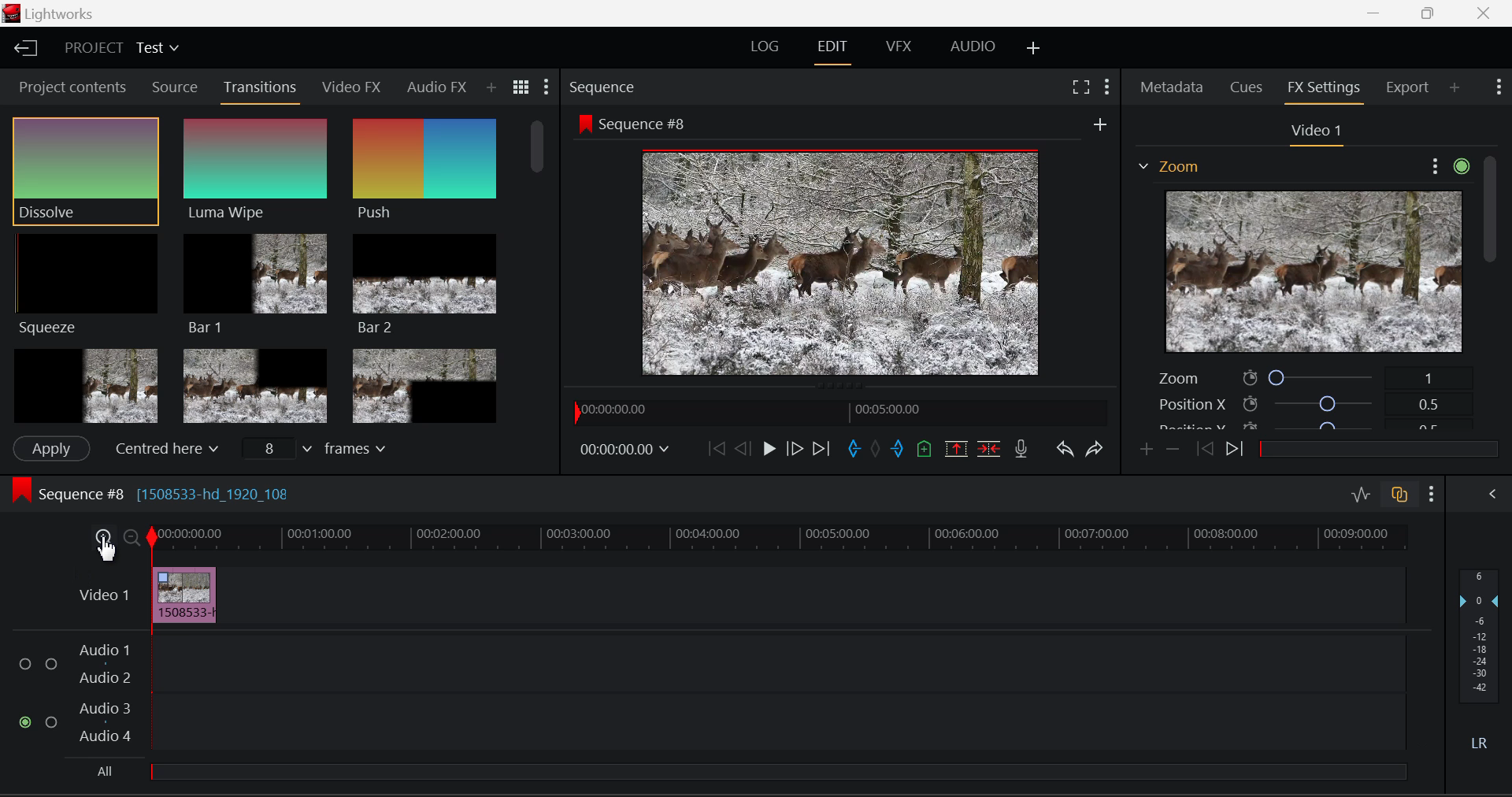 The width and height of the screenshot is (1512, 797). Describe the element at coordinates (1377, 13) in the screenshot. I see `Restore Down` at that location.